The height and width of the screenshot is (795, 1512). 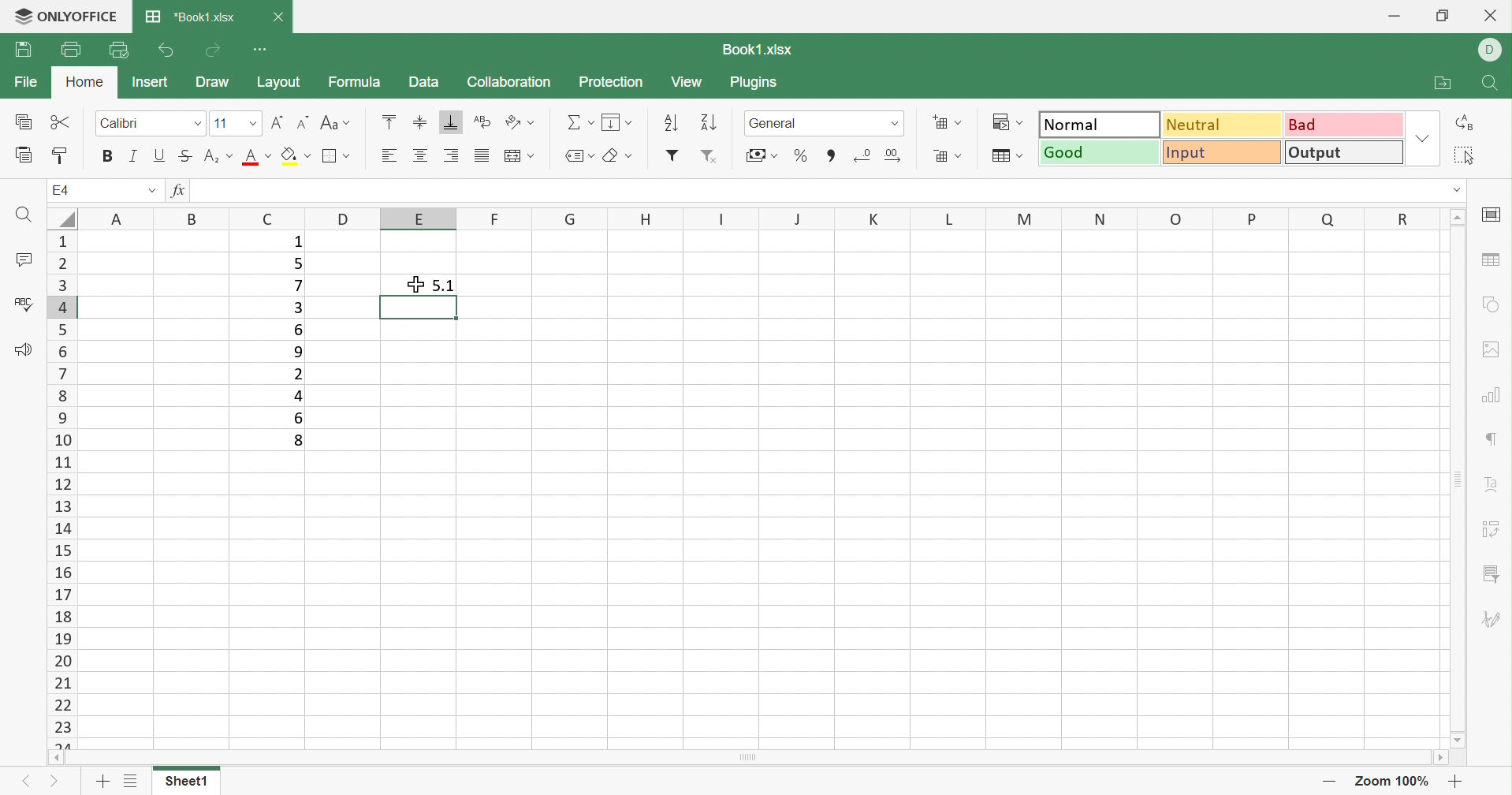 What do you see at coordinates (517, 156) in the screenshot?
I see `Merge and center` at bounding box center [517, 156].